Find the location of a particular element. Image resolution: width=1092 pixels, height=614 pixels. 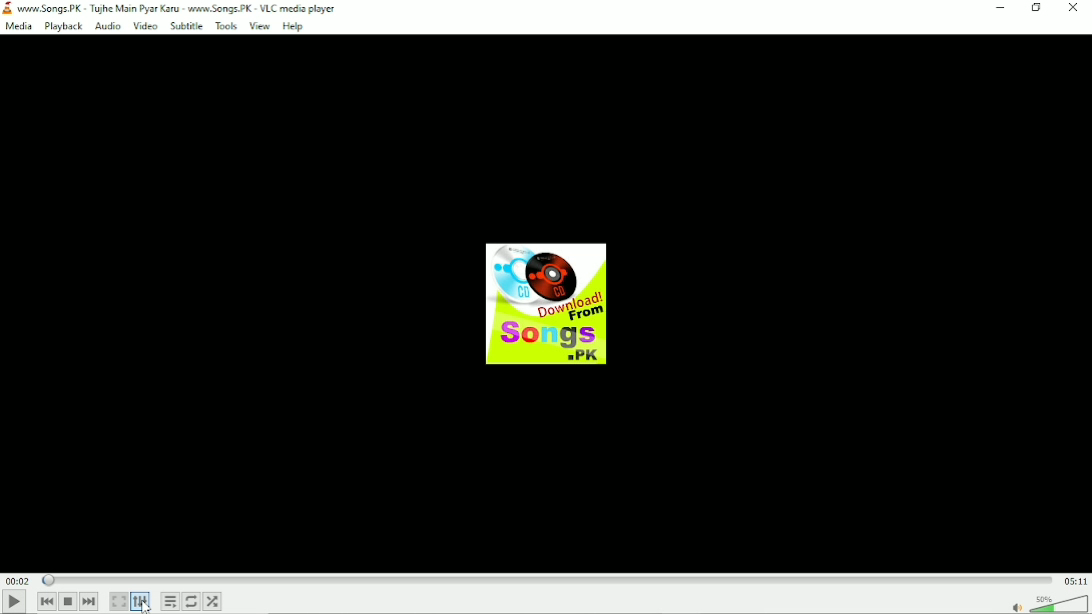

Video is located at coordinates (145, 26).